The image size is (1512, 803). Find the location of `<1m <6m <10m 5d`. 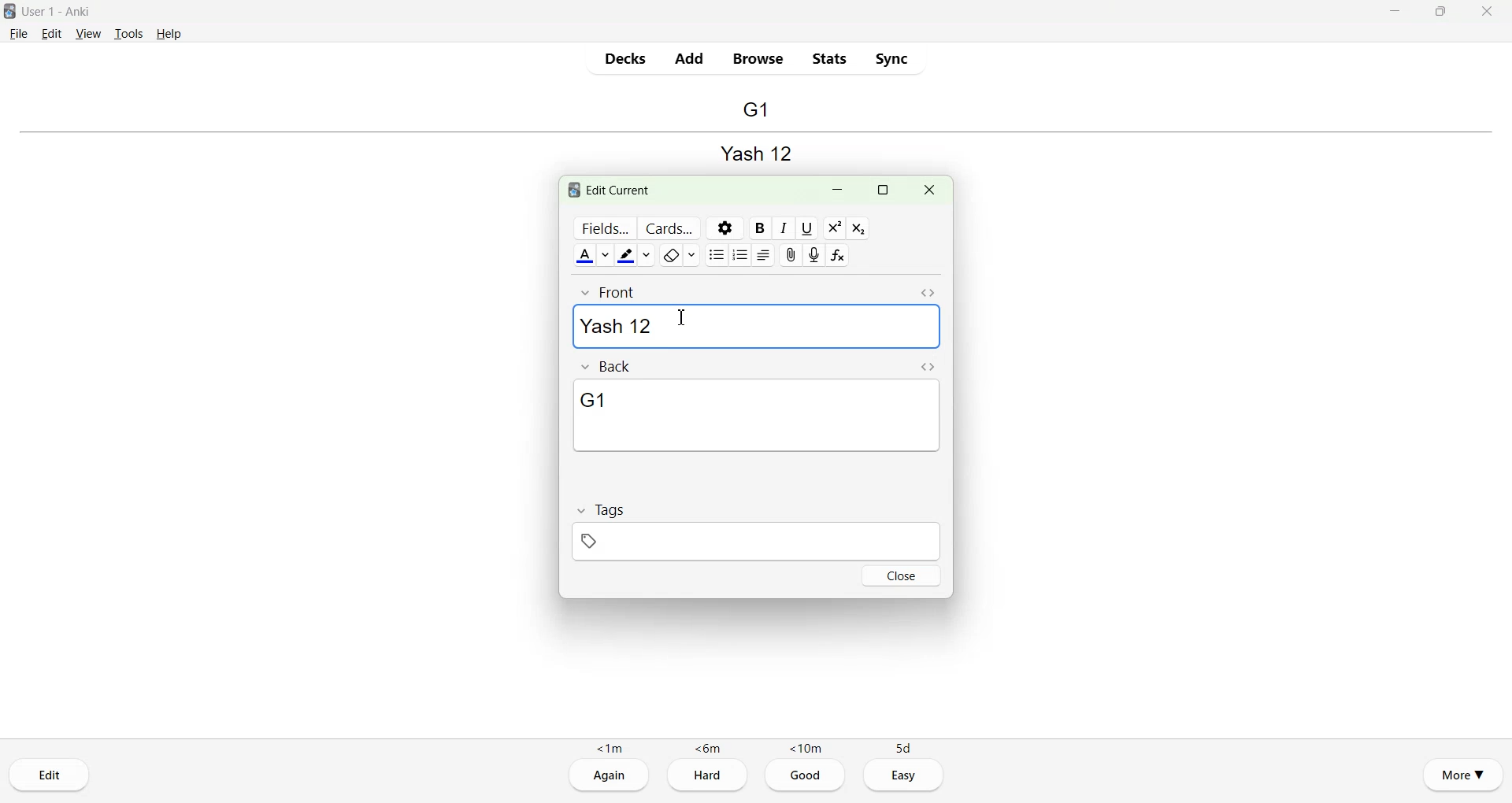

<1m <6m <10m 5d is located at coordinates (755, 747).